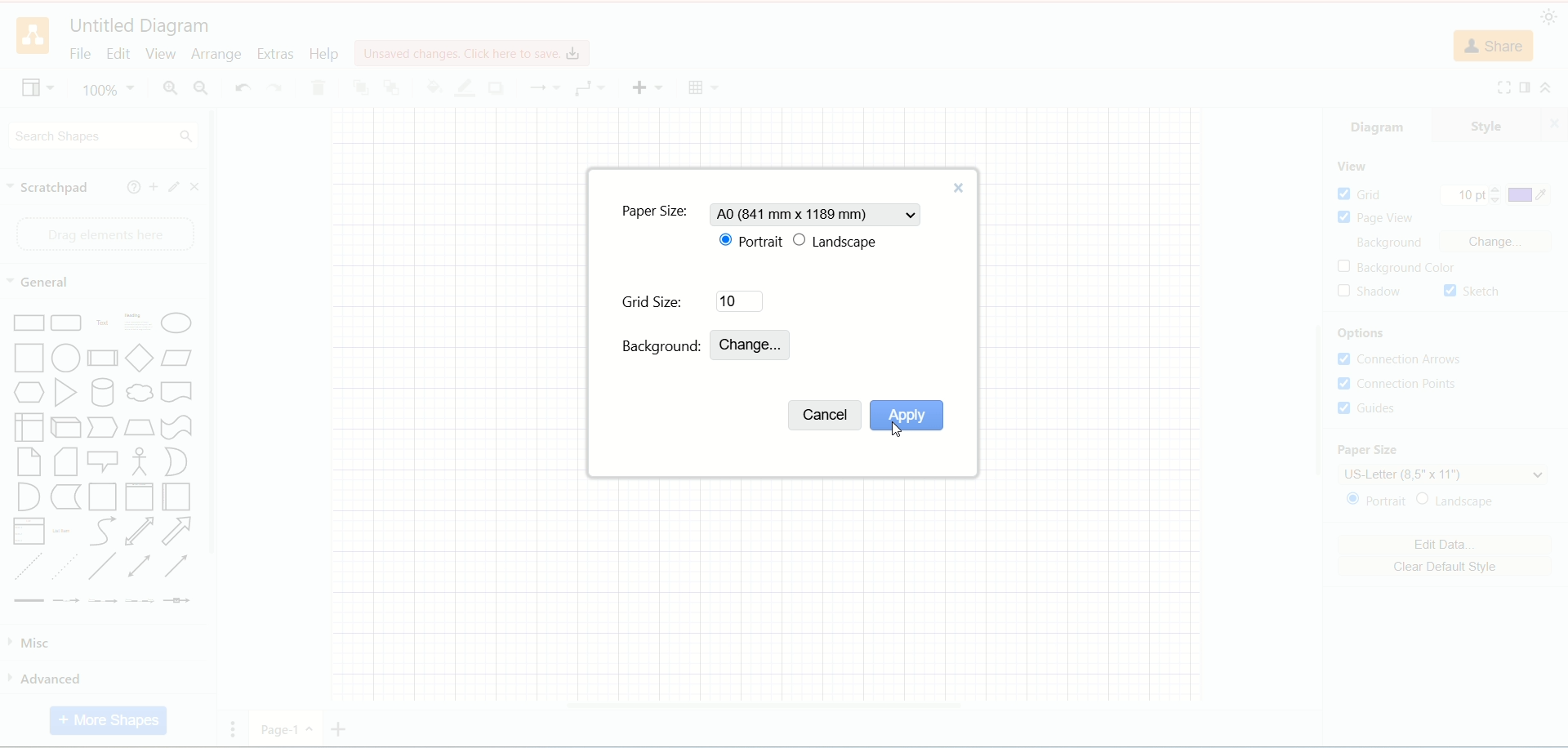 This screenshot has height=748, width=1568. What do you see at coordinates (242, 87) in the screenshot?
I see `undo` at bounding box center [242, 87].